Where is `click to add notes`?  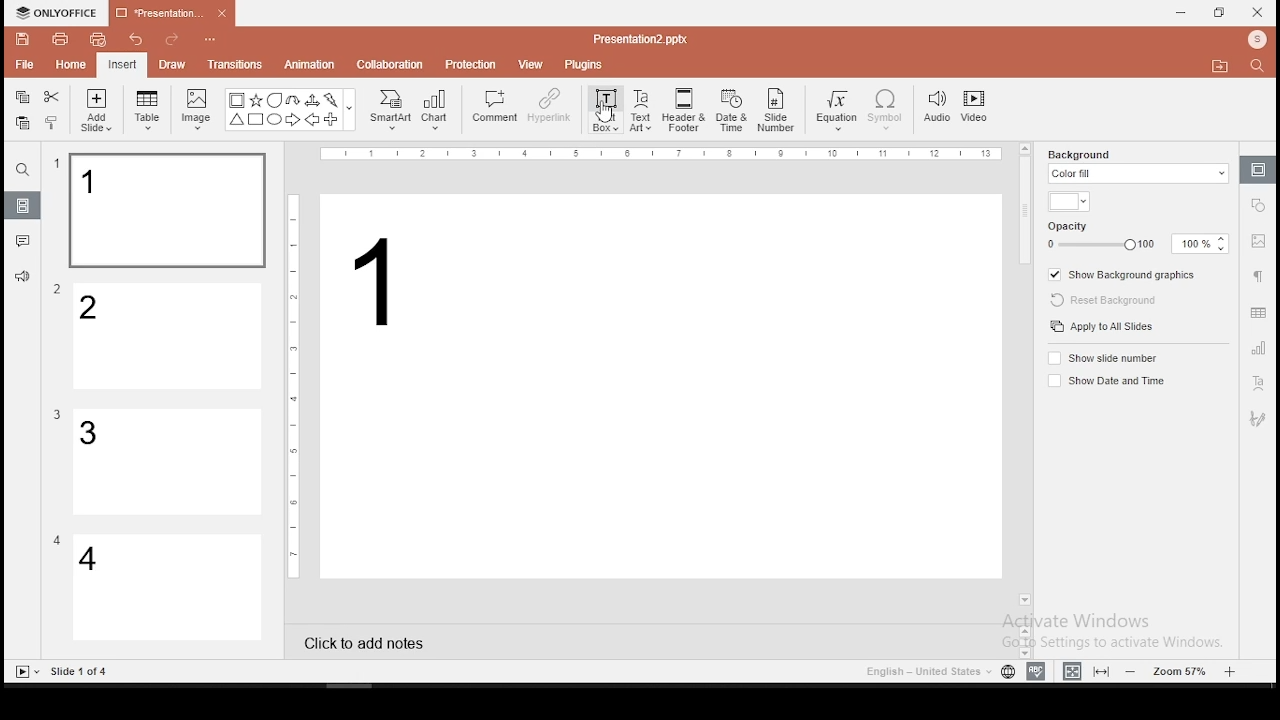 click to add notes is located at coordinates (370, 641).